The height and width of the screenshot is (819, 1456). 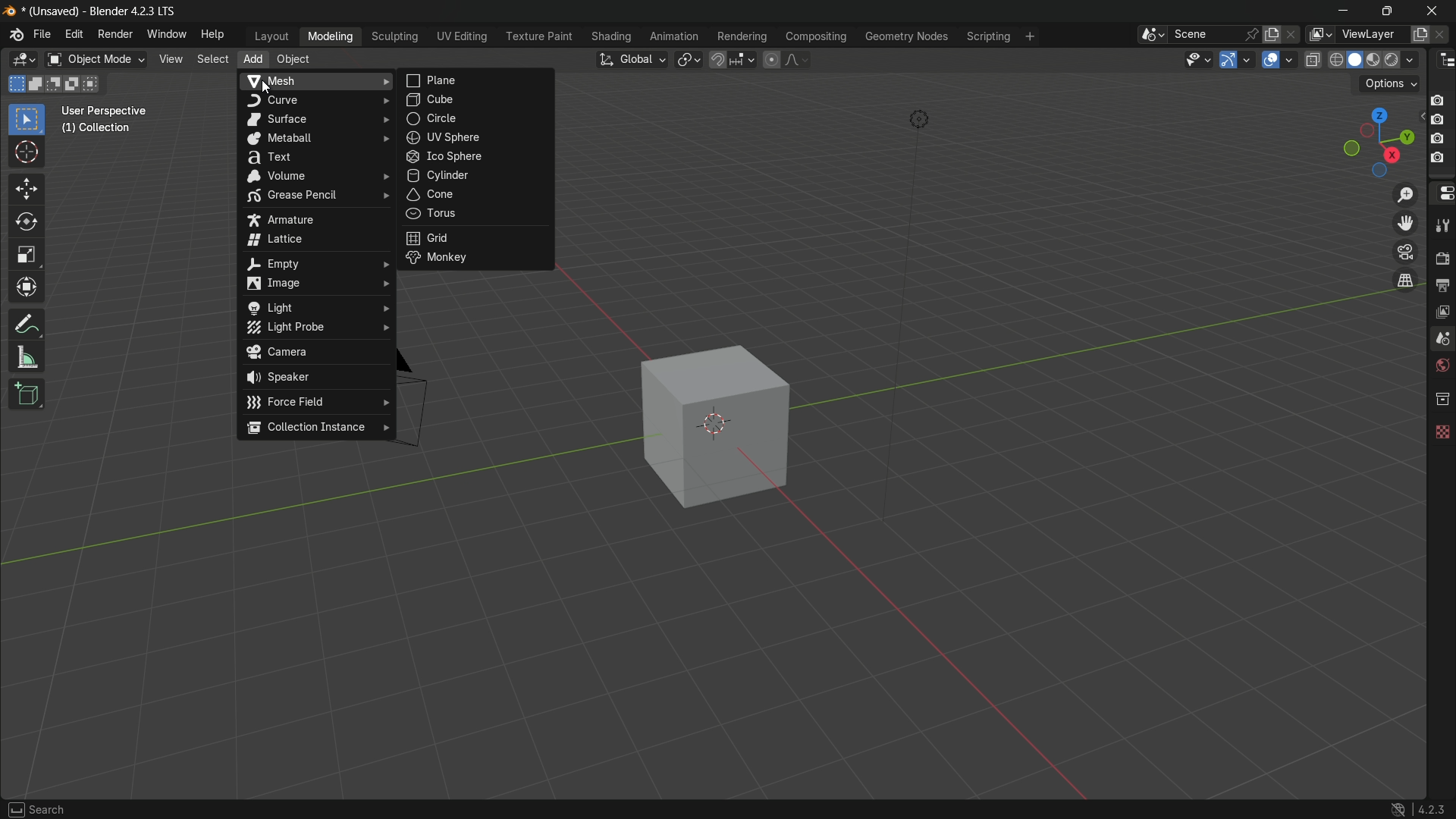 I want to click on proportional editing object, so click(x=771, y=59).